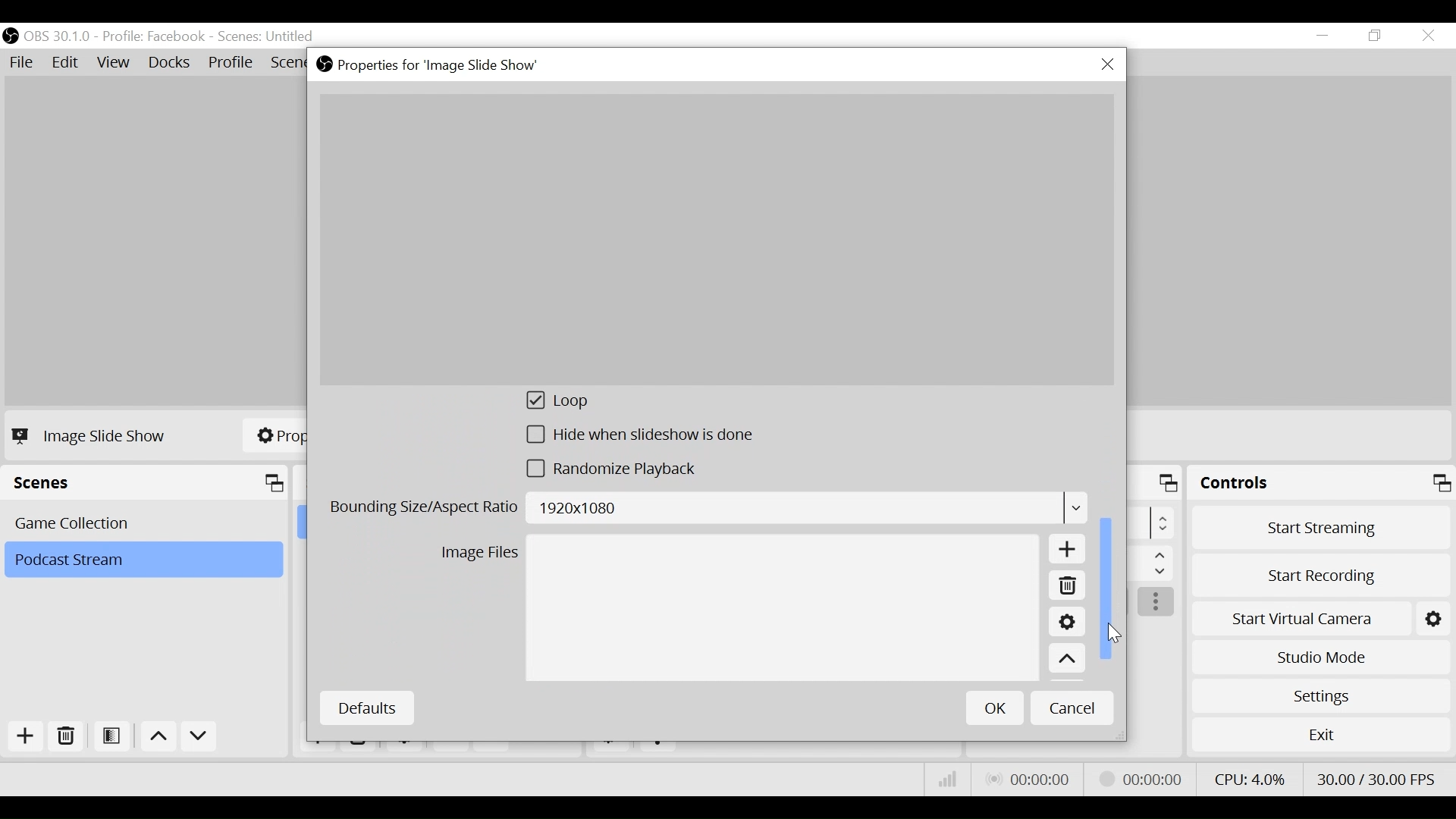 This screenshot has height=819, width=1456. I want to click on Vertical Scroll bar, so click(1109, 587).